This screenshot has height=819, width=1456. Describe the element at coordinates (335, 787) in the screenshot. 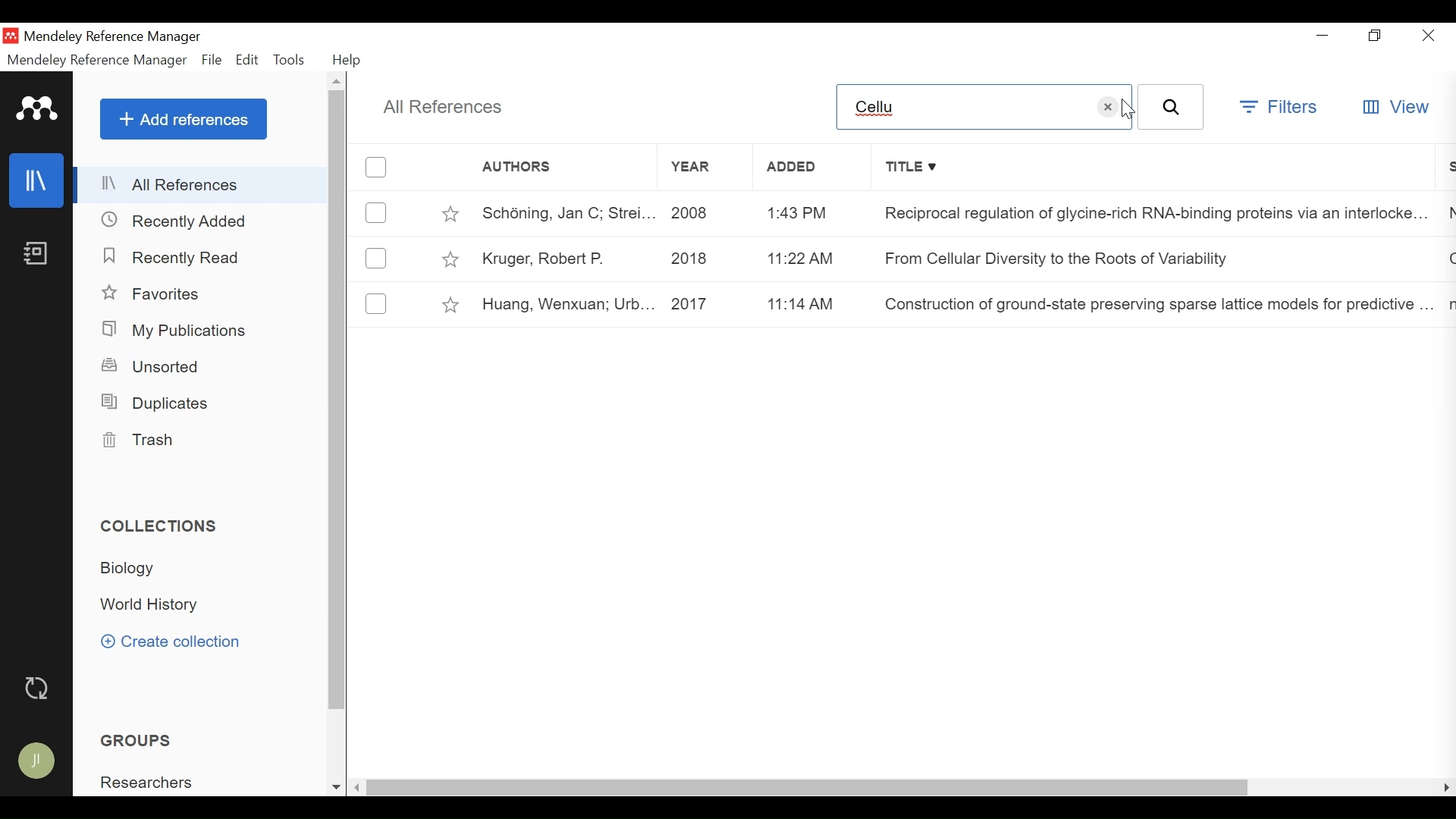

I see `Scroll down` at that location.